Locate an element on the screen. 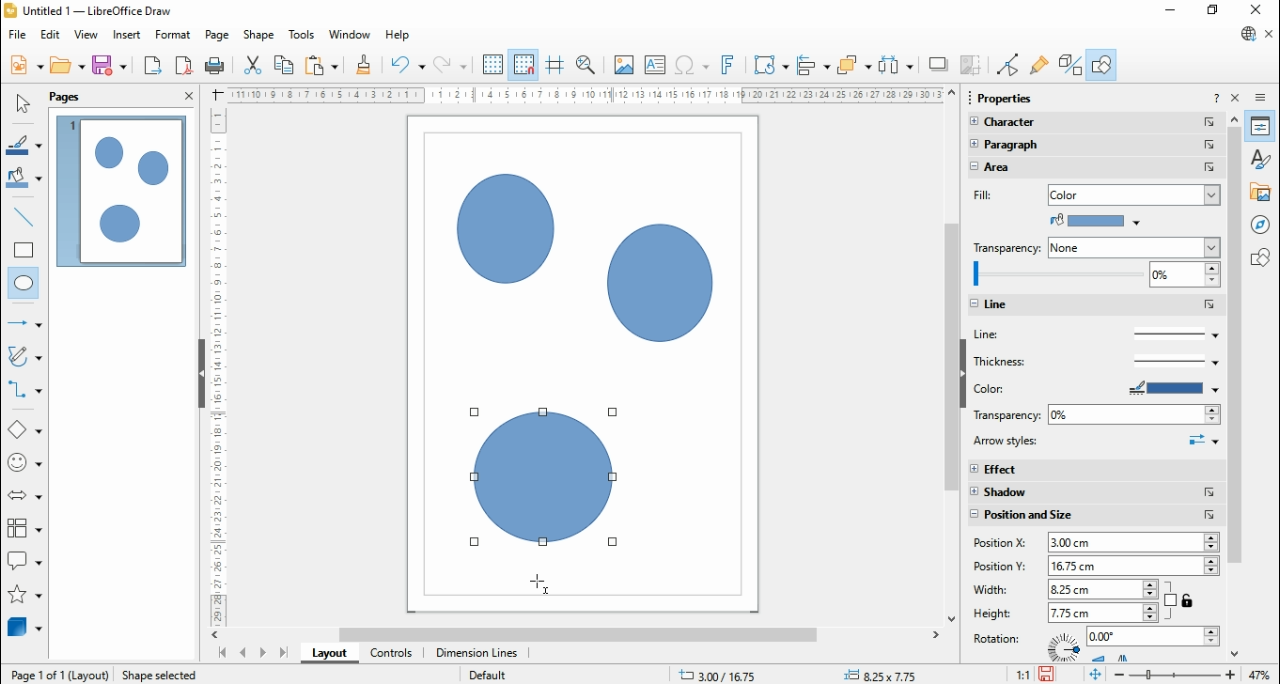 The image size is (1280, 684). Scroll bar is located at coordinates (1235, 383).